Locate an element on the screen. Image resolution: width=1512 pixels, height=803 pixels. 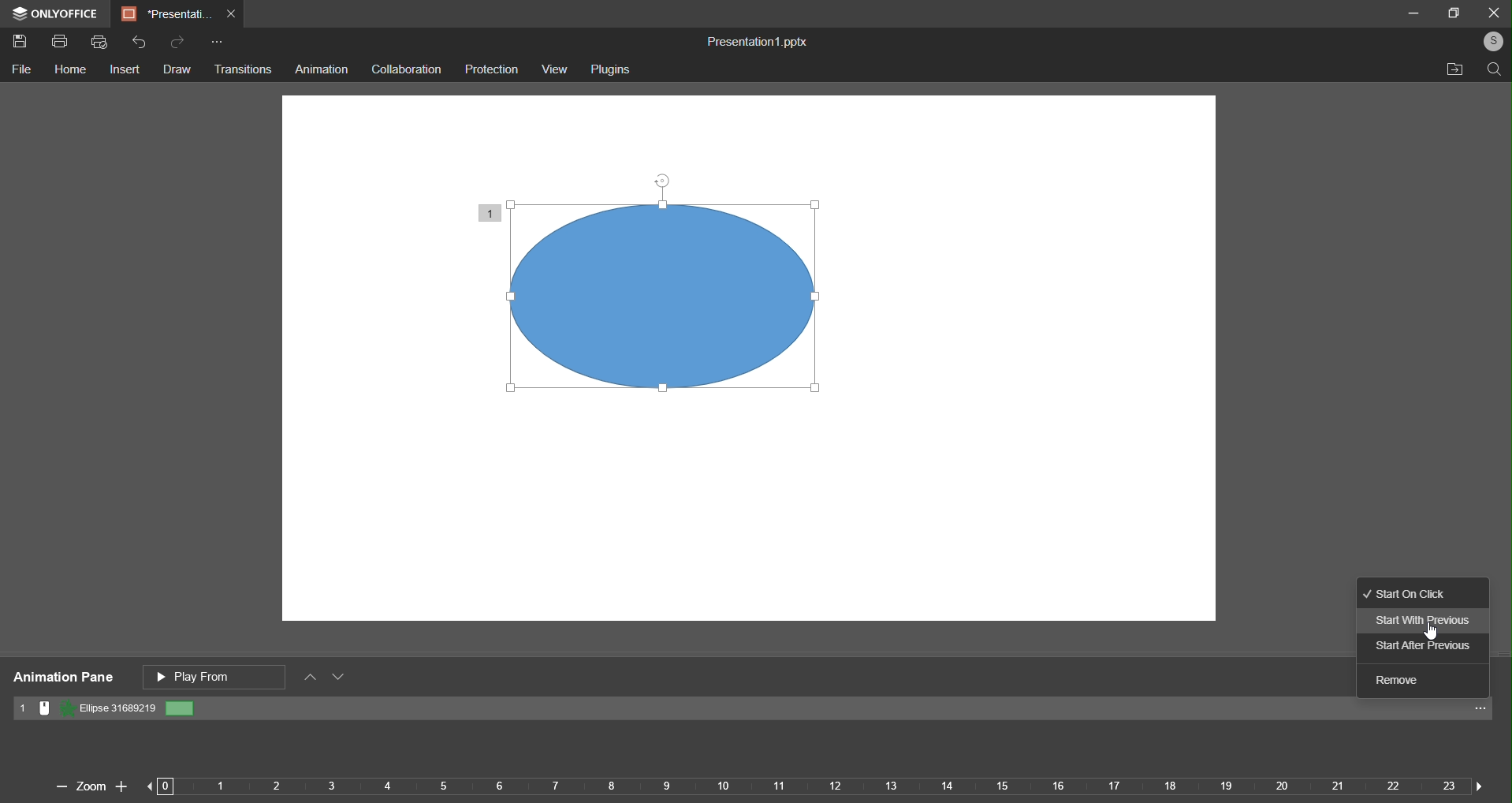
play all is located at coordinates (216, 675).